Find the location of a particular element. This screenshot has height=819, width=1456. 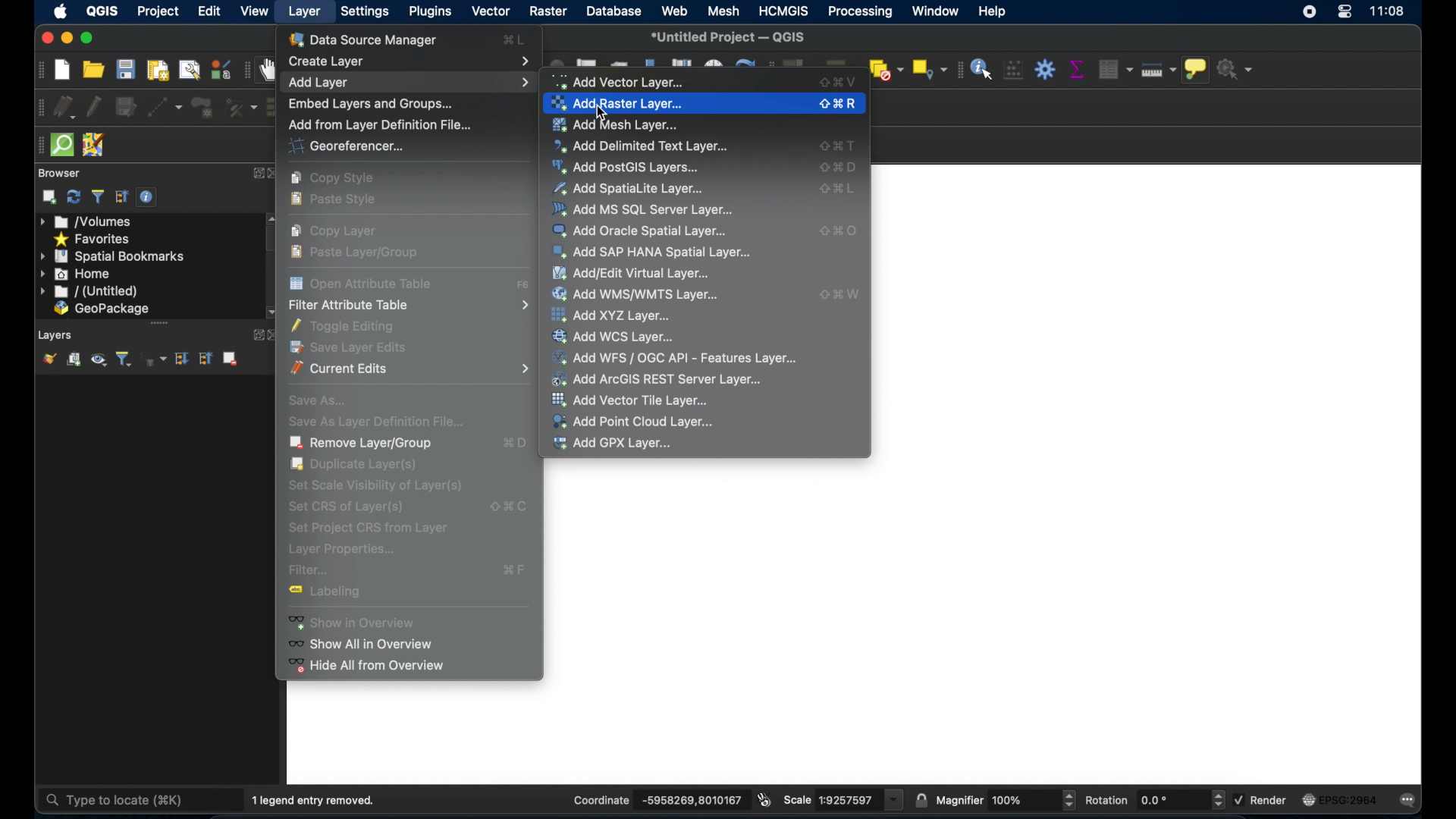

identify features is located at coordinates (982, 68).